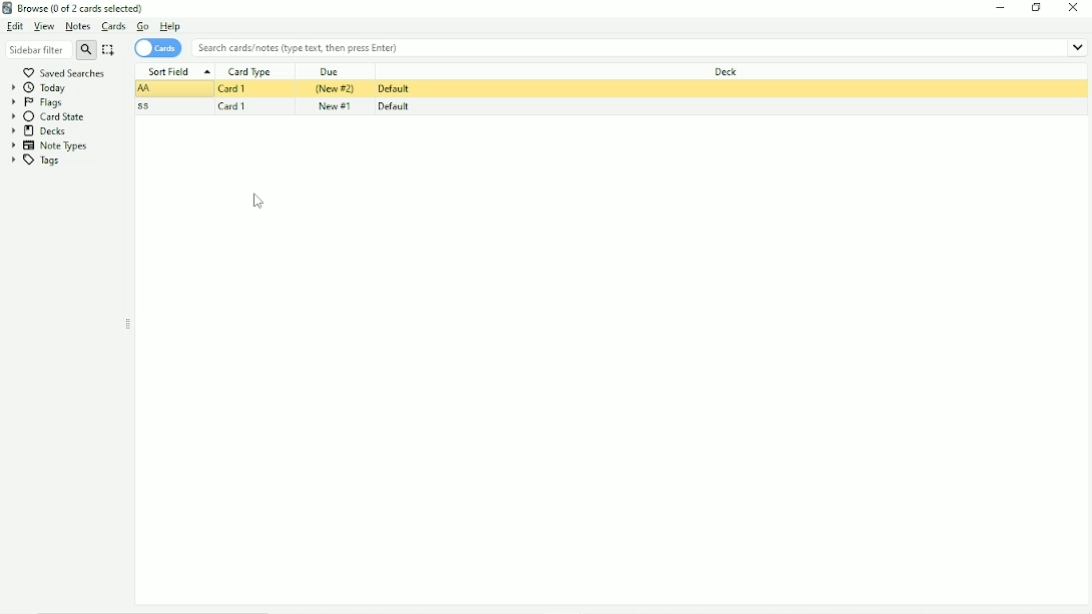  I want to click on Sort Field, so click(179, 72).